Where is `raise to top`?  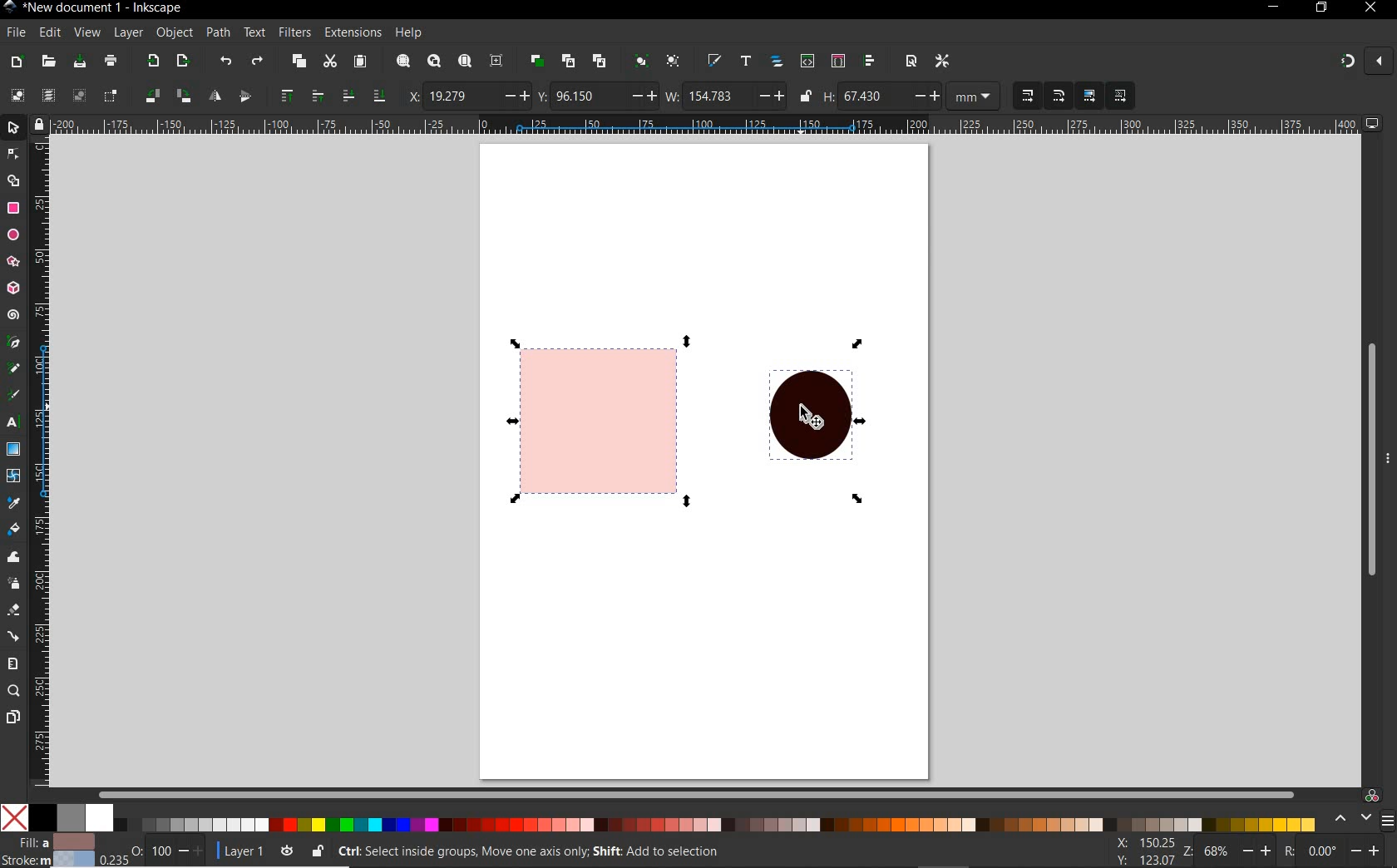
raise to top is located at coordinates (289, 94).